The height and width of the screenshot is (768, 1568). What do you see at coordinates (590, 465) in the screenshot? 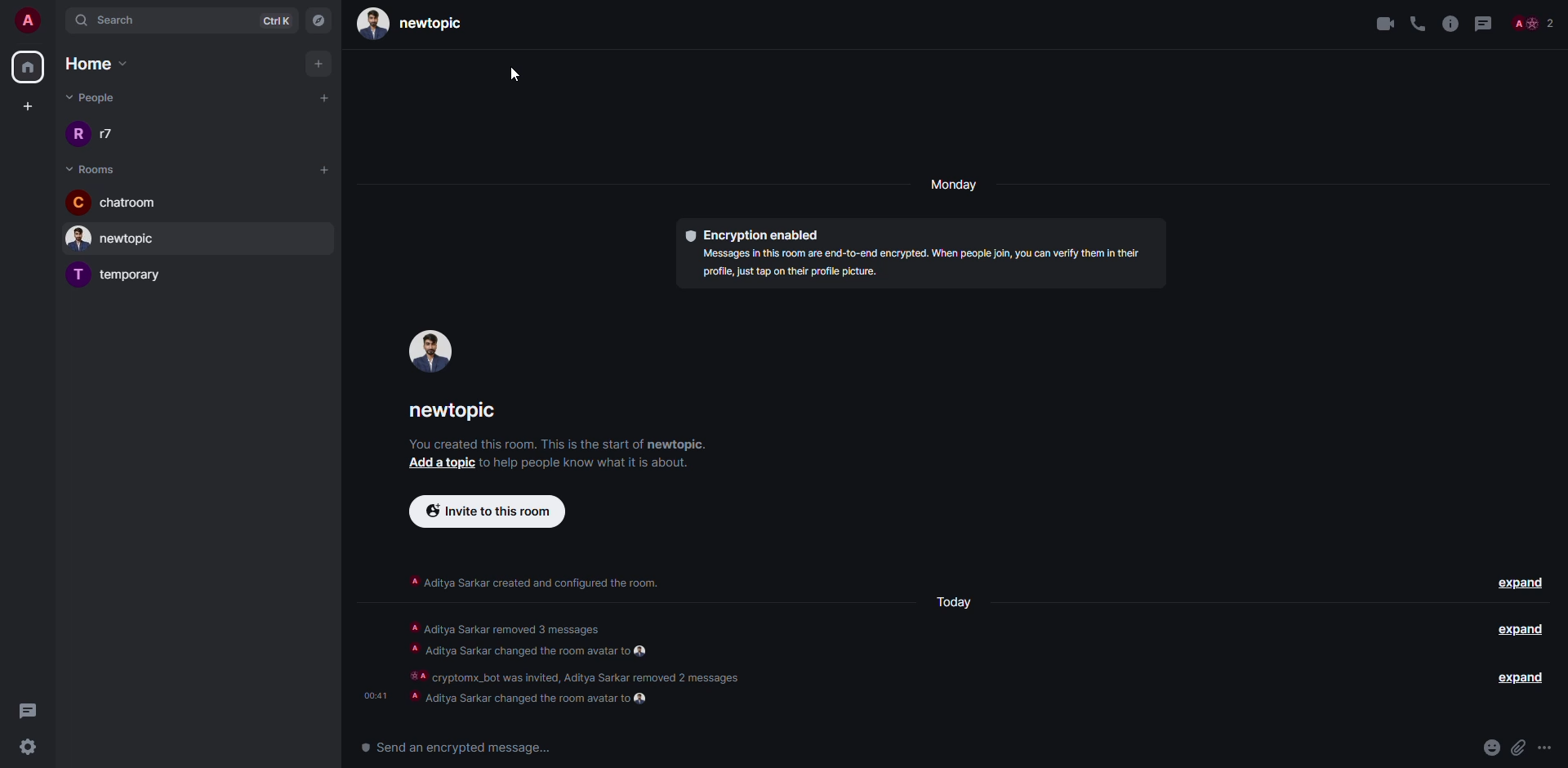
I see `info` at bounding box center [590, 465].